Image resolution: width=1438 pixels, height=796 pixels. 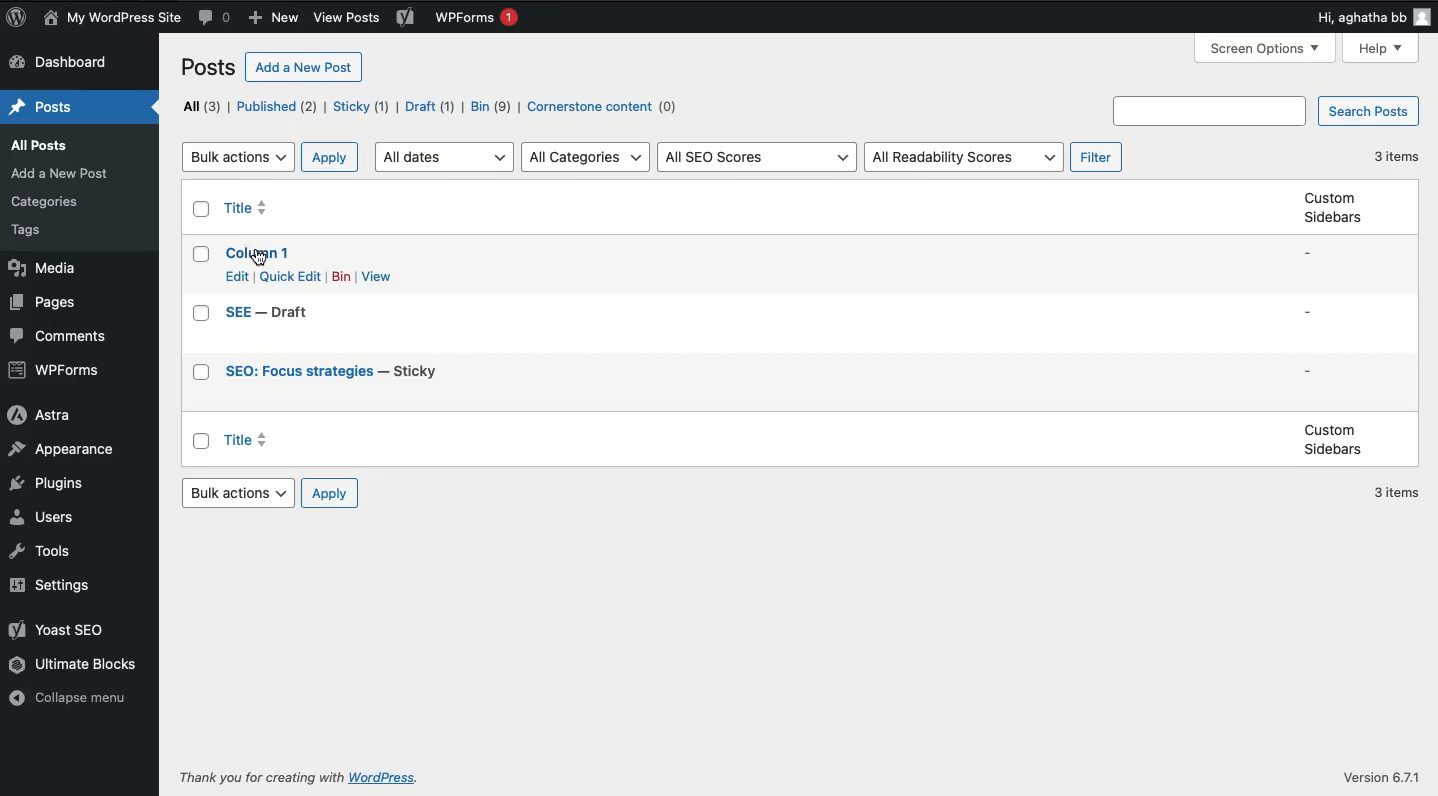 I want to click on Bulk actions, so click(x=240, y=493).